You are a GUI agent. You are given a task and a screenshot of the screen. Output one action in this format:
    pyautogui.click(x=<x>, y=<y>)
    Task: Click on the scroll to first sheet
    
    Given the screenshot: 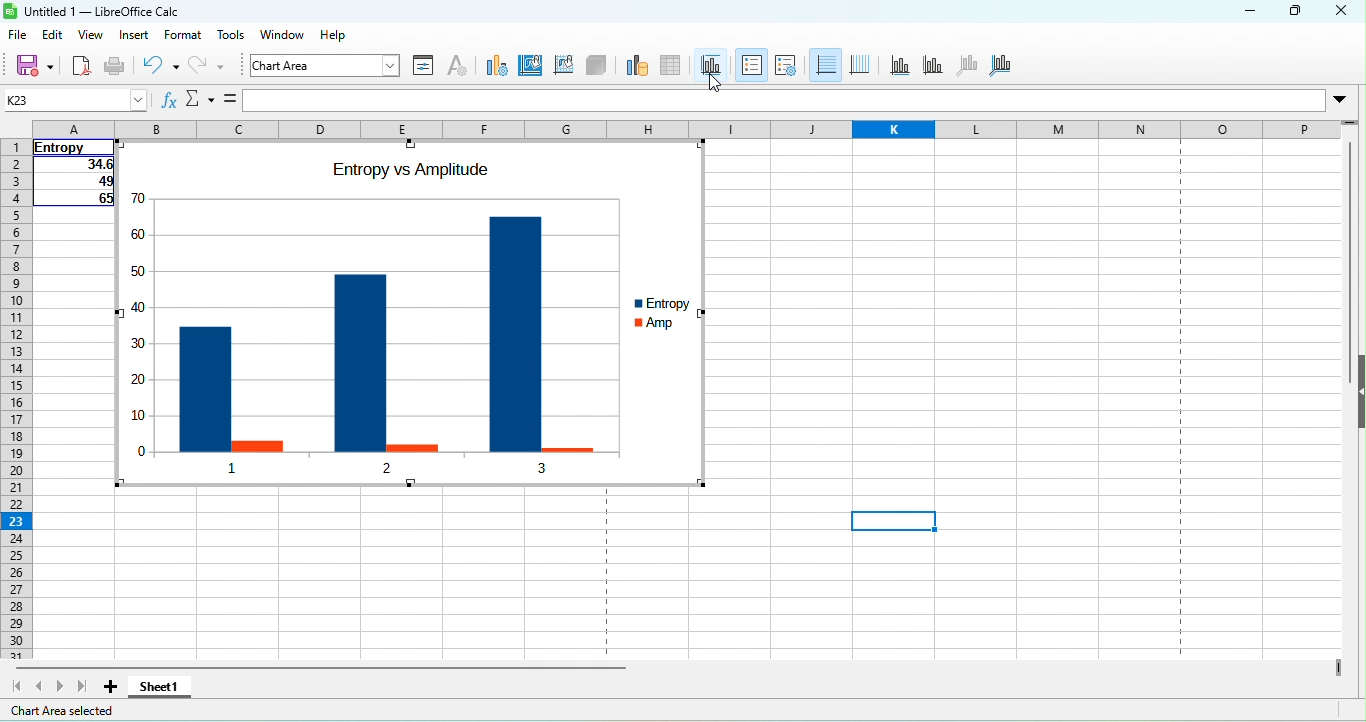 What is the action you would take?
    pyautogui.click(x=16, y=687)
    